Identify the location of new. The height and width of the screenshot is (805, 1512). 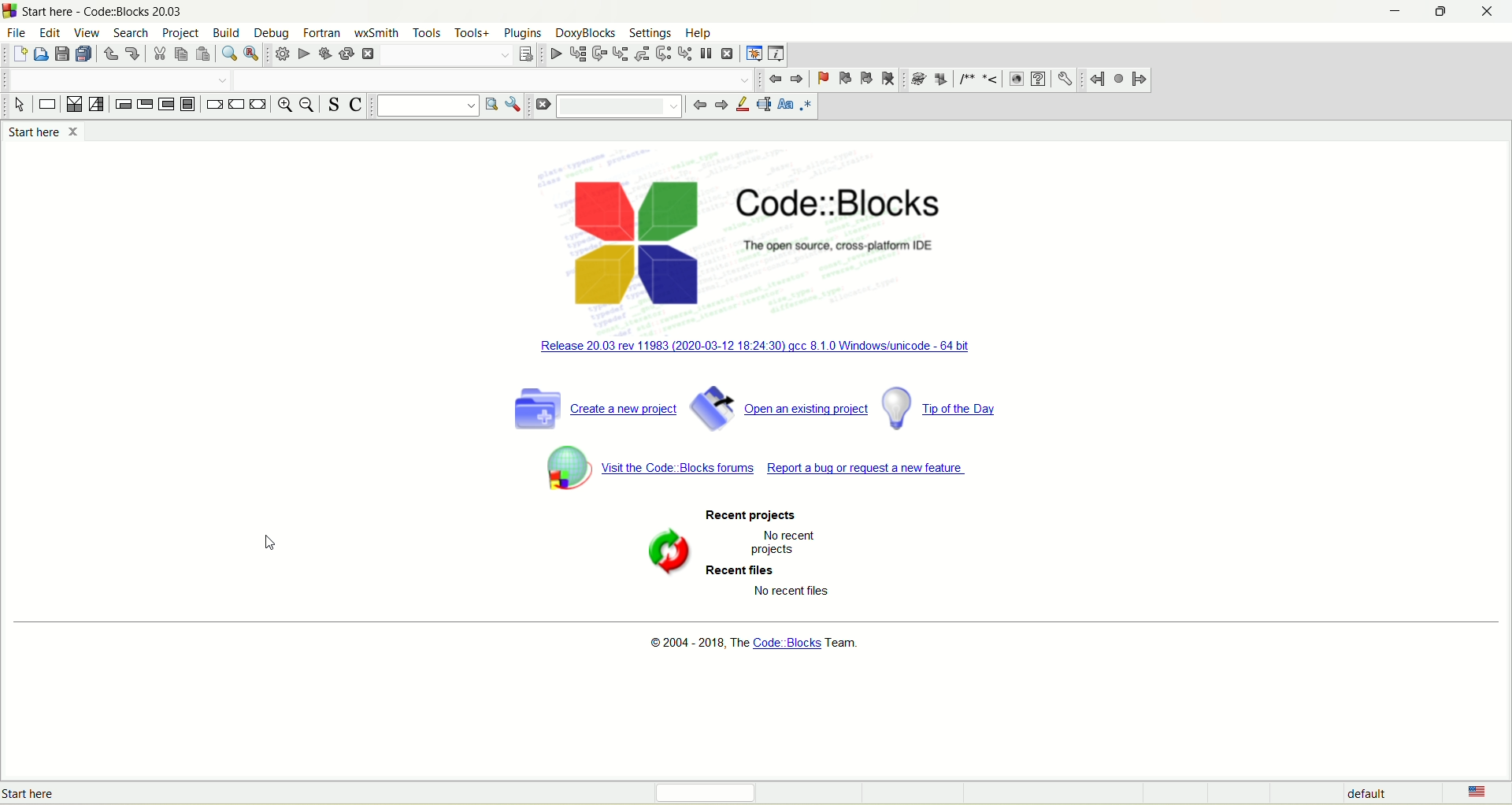
(20, 54).